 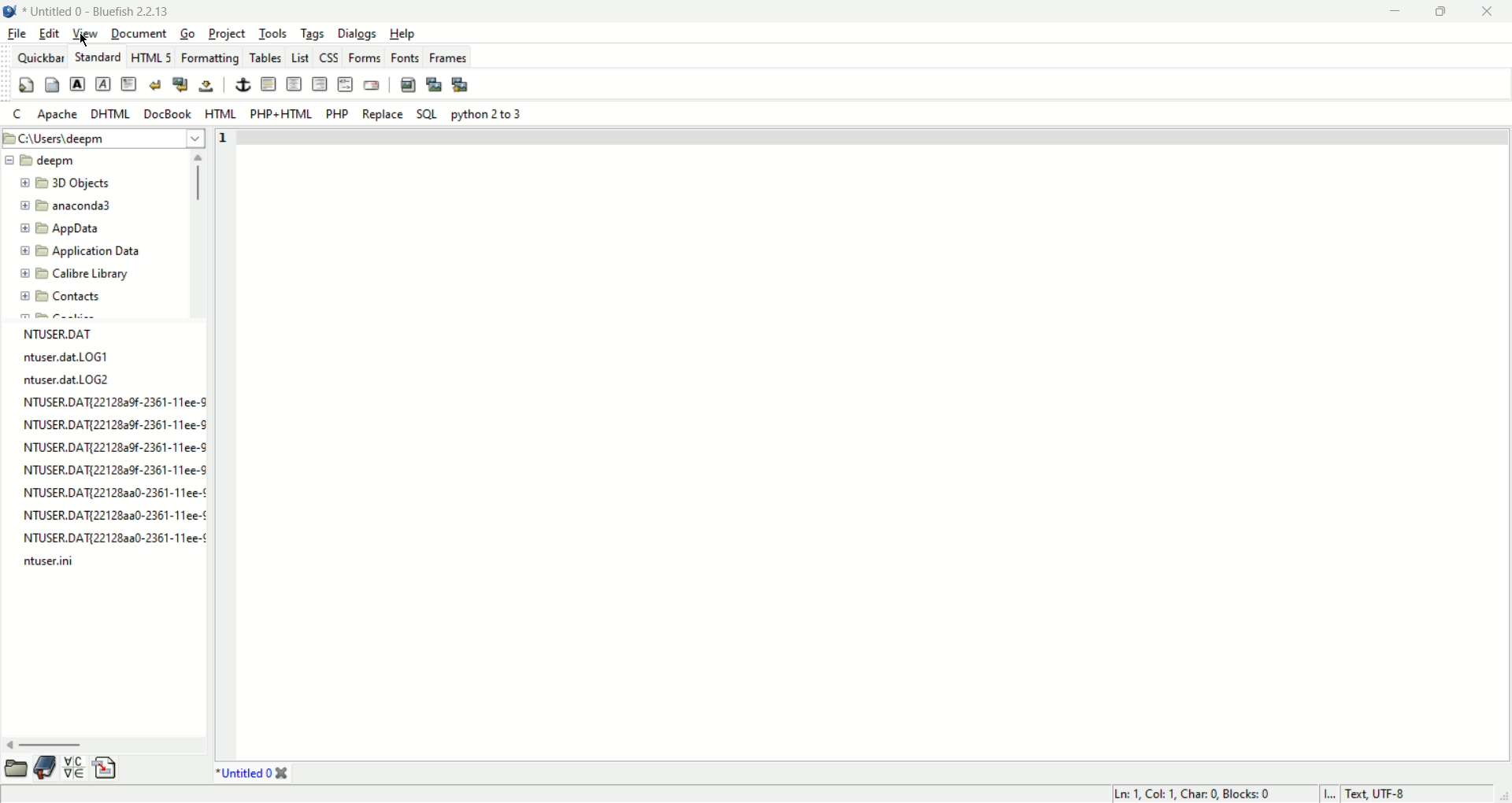 I want to click on DHTML, so click(x=109, y=113).